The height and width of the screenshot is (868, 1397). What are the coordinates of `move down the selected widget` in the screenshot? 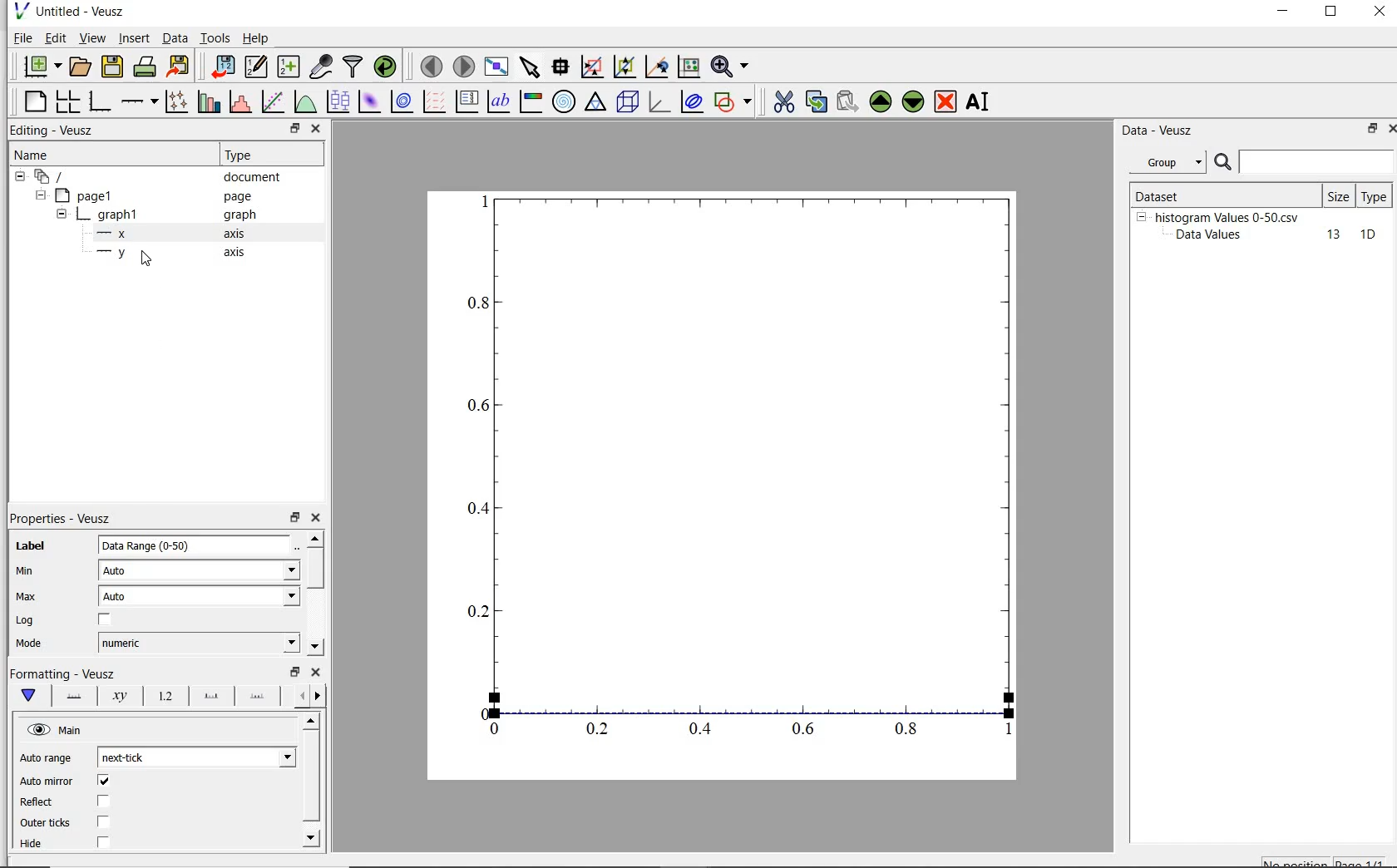 It's located at (913, 104).